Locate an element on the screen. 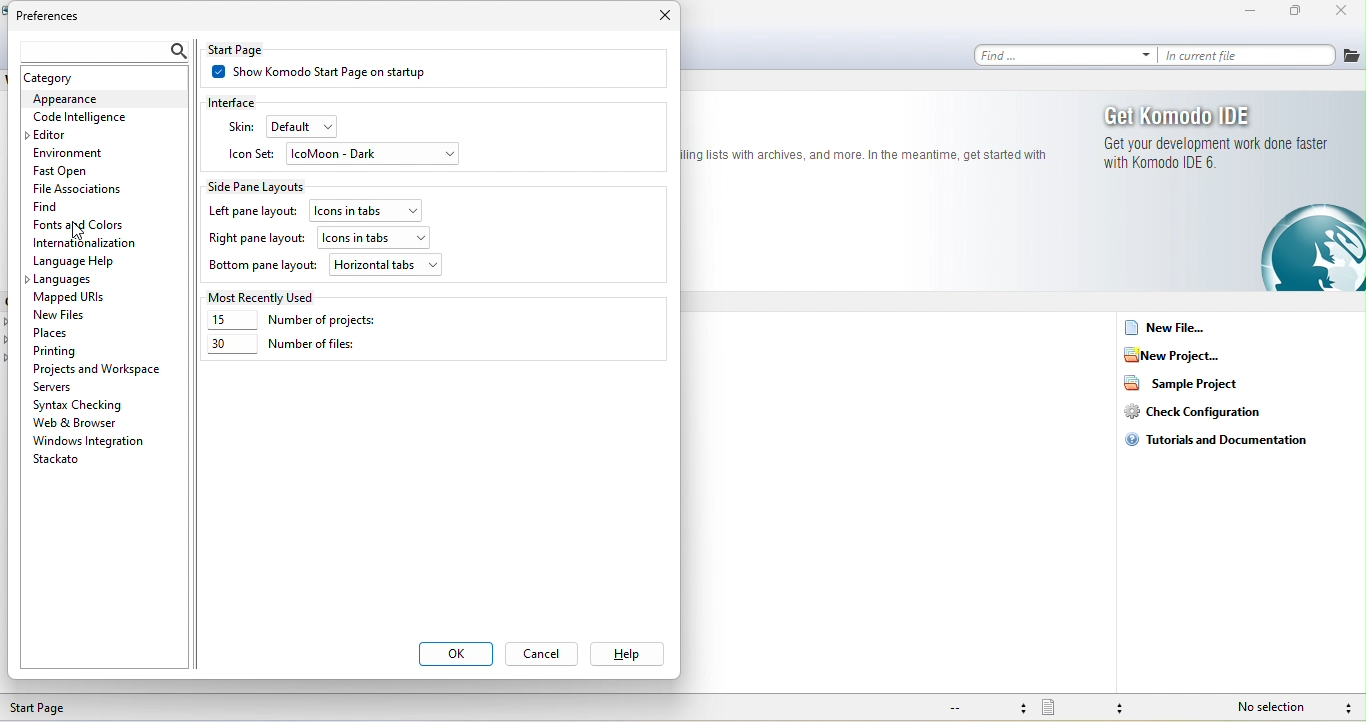  stackato is located at coordinates (75, 461).